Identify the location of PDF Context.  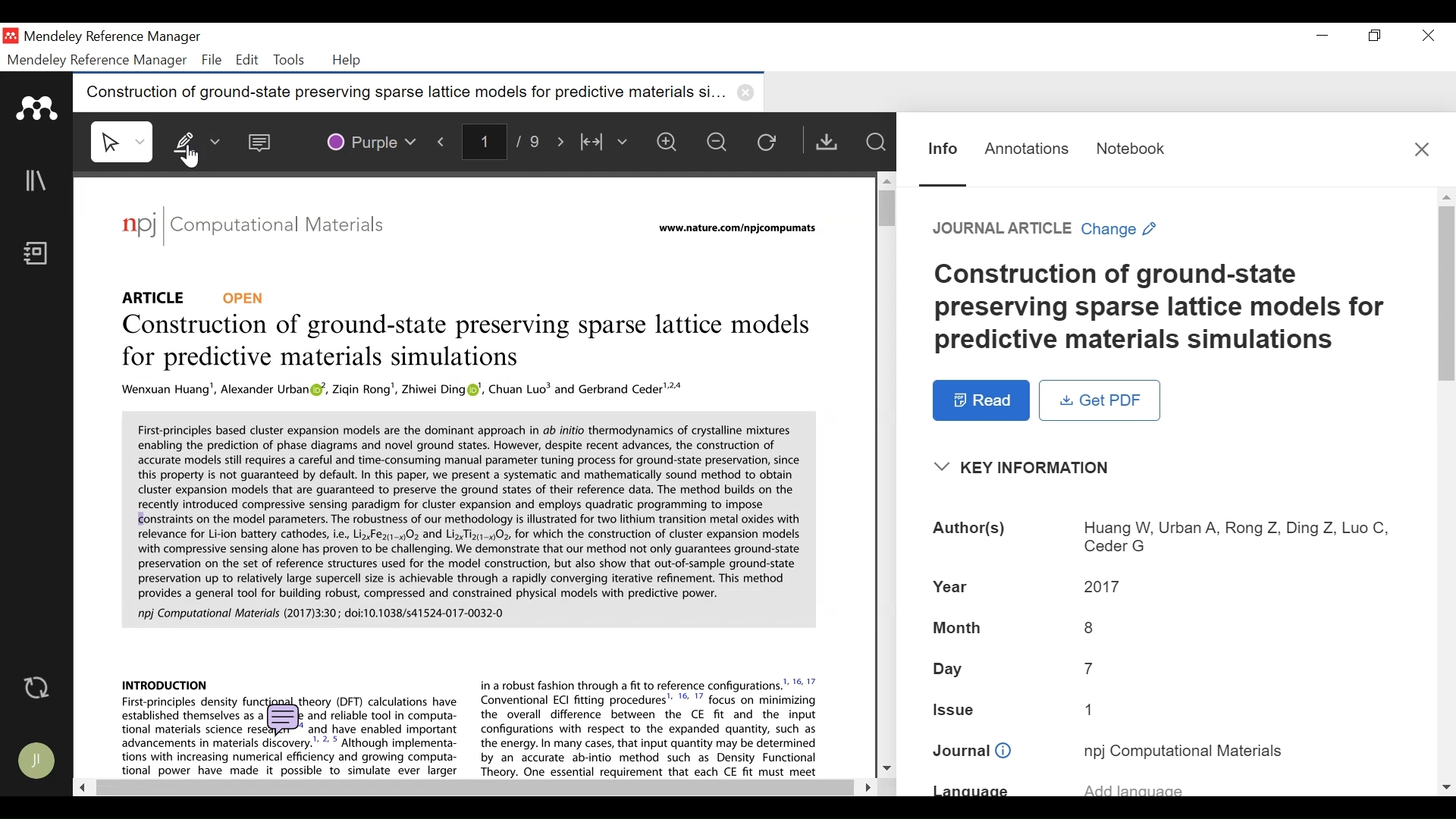
(405, 391).